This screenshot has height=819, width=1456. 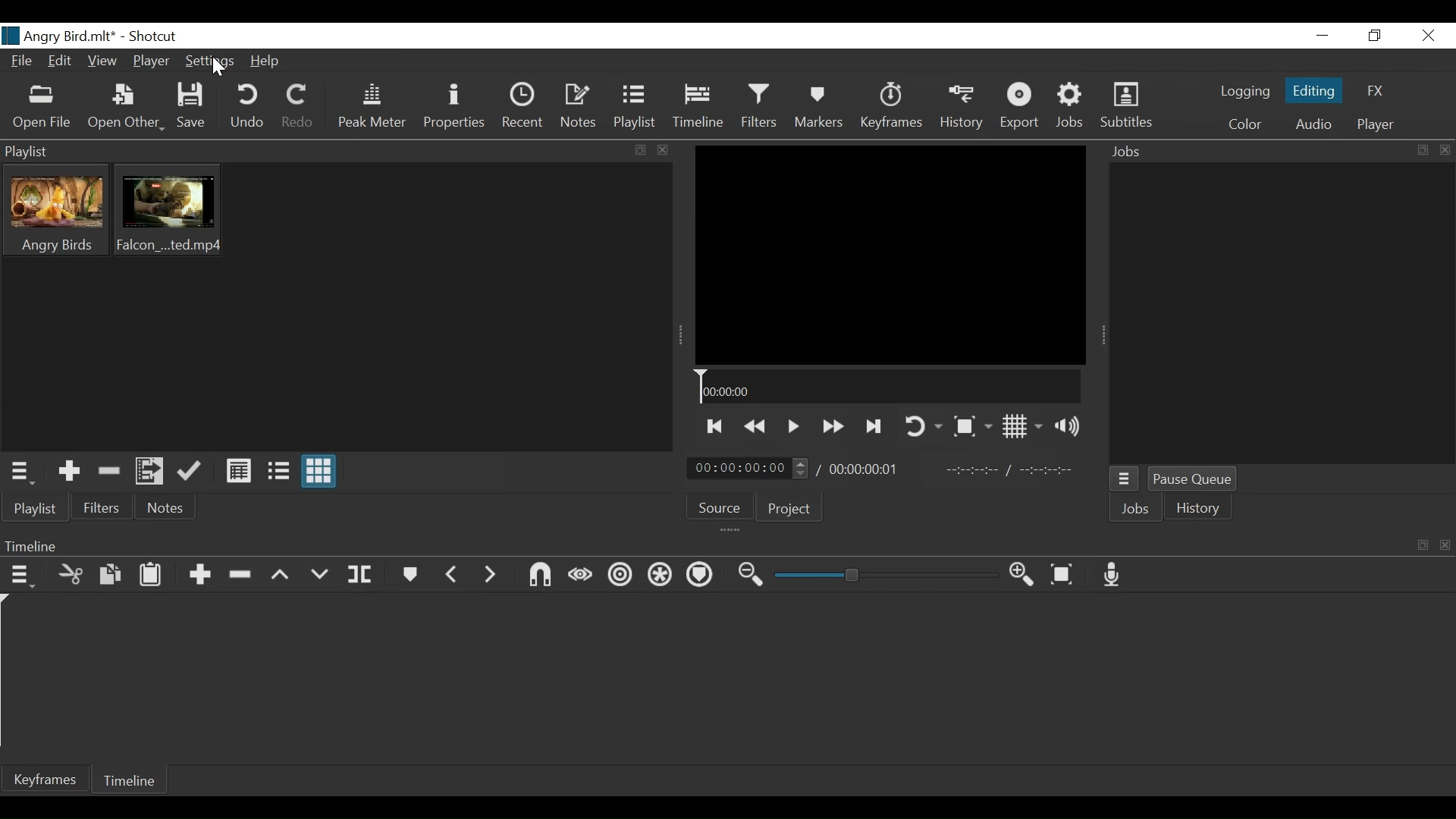 What do you see at coordinates (1137, 510) in the screenshot?
I see `Jobs` at bounding box center [1137, 510].